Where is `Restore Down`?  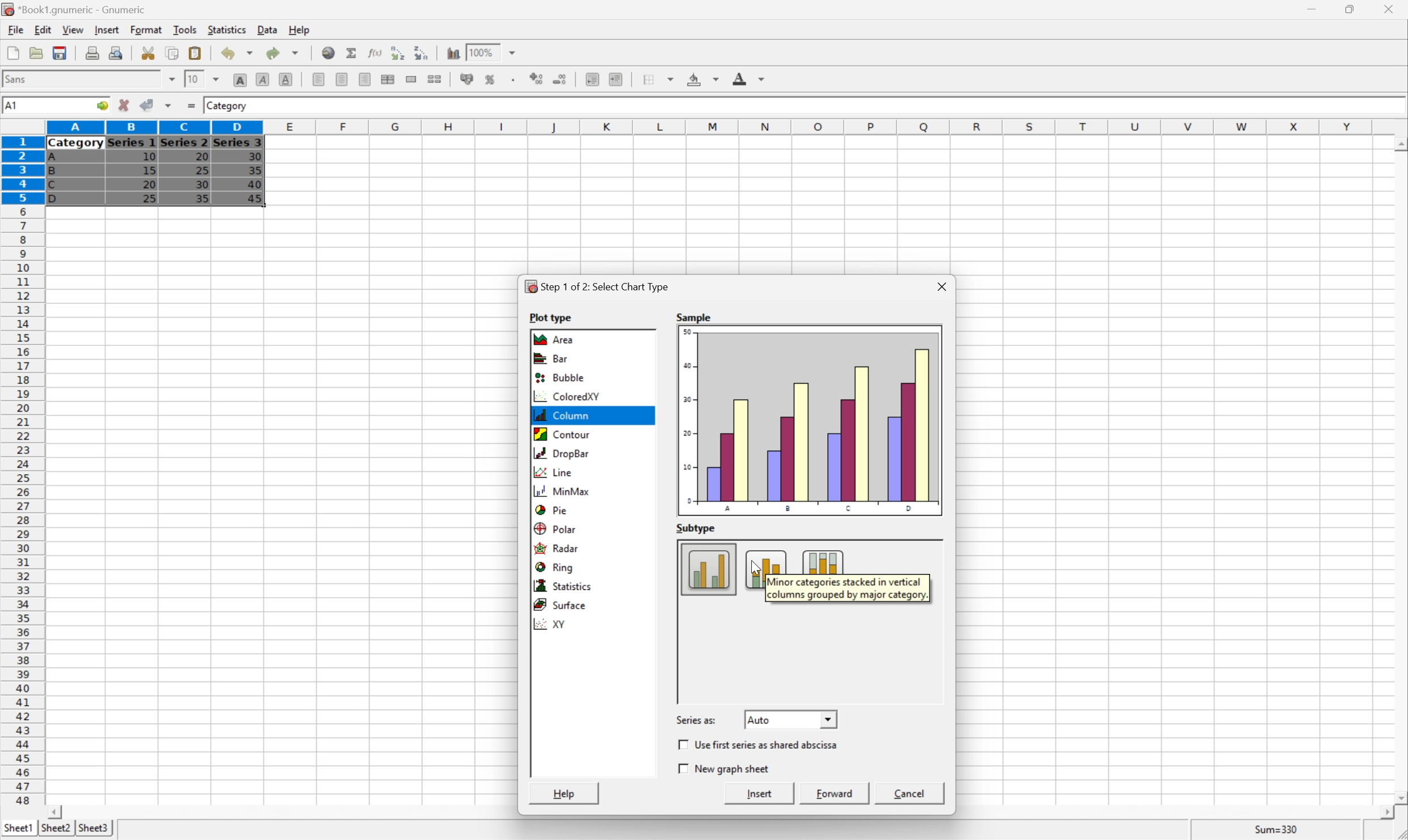 Restore Down is located at coordinates (1344, 9).